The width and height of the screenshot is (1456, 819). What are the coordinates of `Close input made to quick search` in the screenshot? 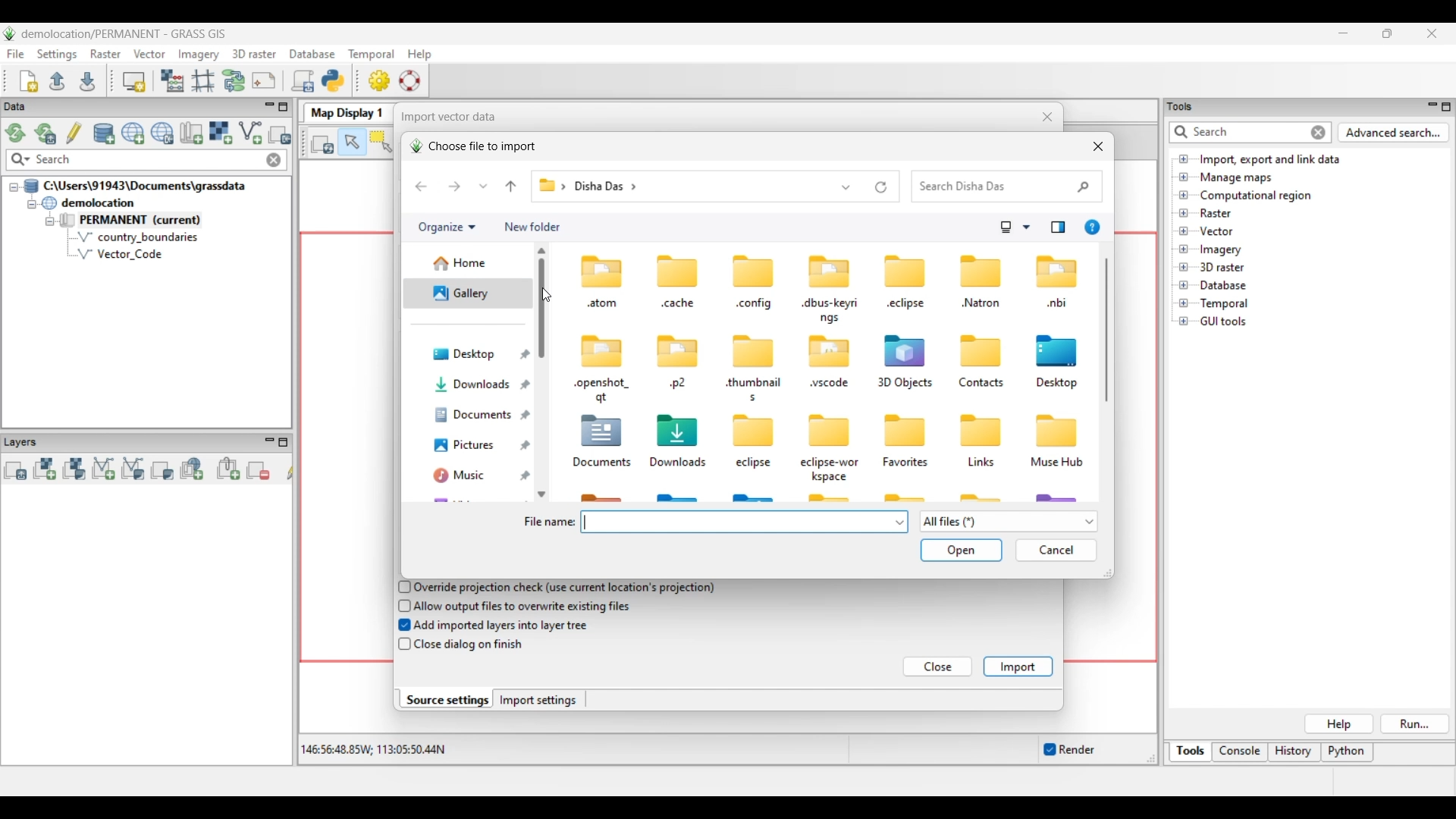 It's located at (274, 160).